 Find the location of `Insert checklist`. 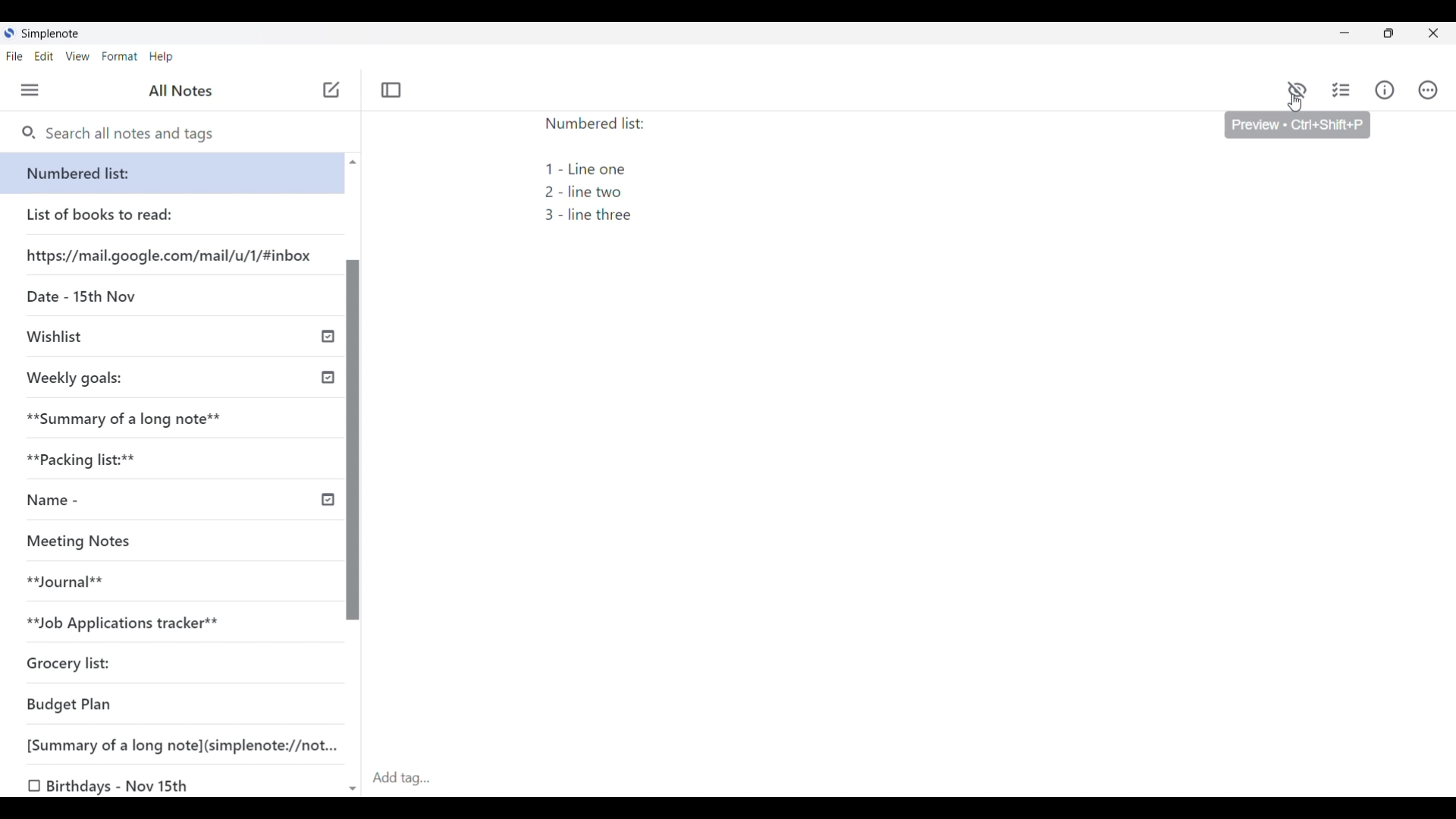

Insert checklist is located at coordinates (1341, 90).